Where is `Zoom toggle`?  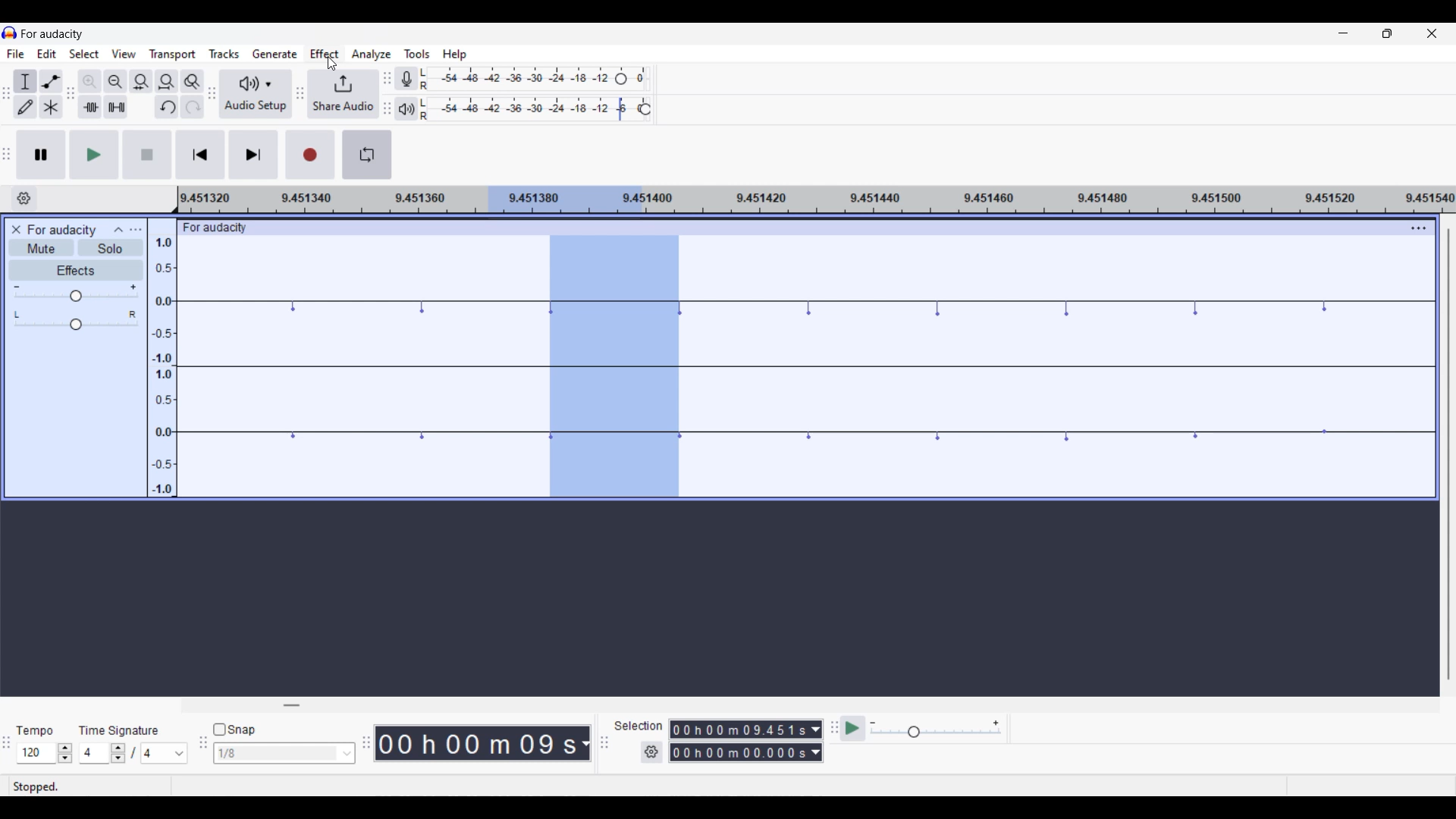 Zoom toggle is located at coordinates (193, 81).